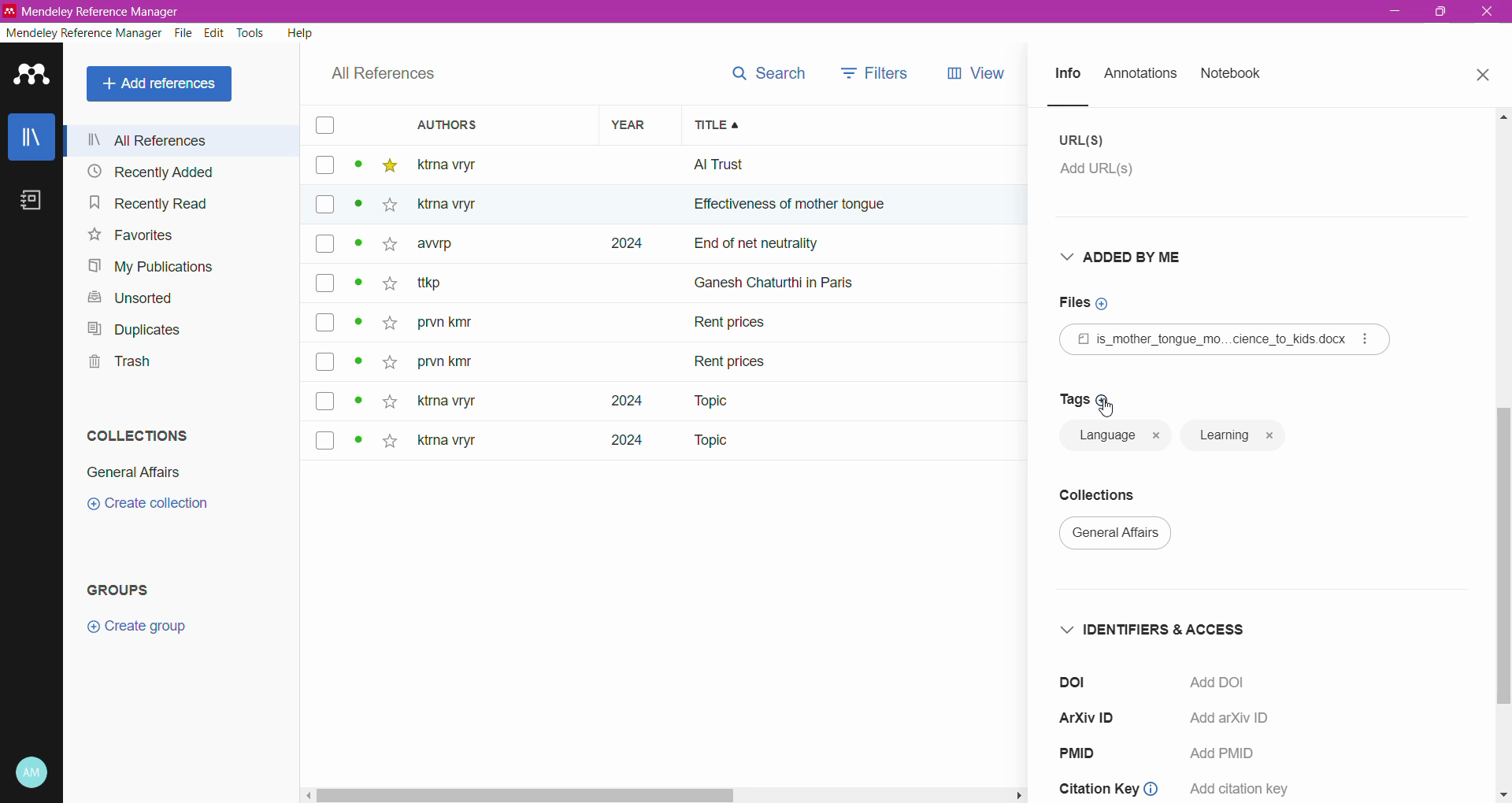  Describe the element at coordinates (700, 401) in the screenshot. I see `Topic` at that location.